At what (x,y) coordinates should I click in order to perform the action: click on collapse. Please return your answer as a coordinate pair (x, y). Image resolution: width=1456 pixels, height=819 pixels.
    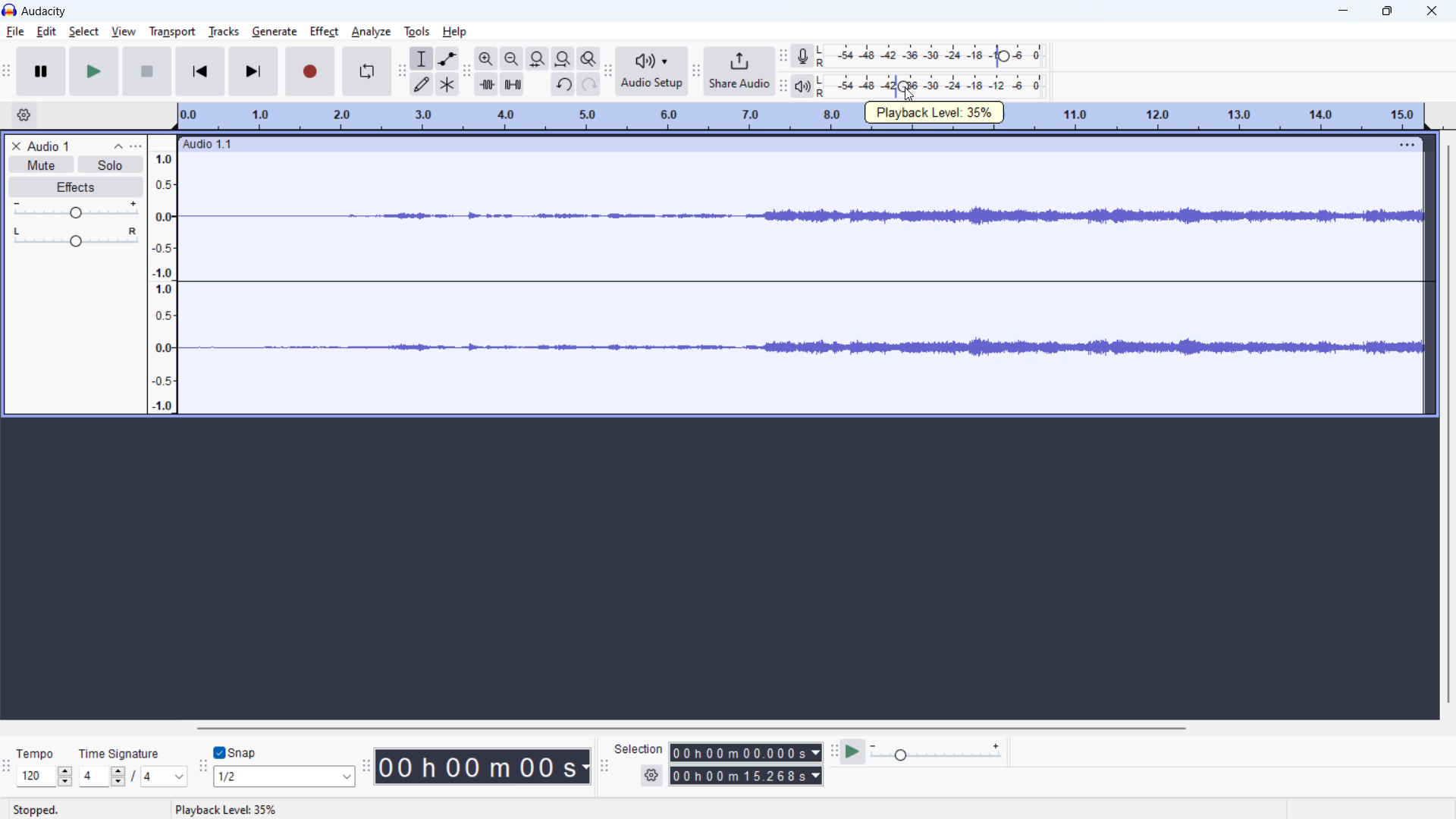
    Looking at the image, I should click on (118, 146).